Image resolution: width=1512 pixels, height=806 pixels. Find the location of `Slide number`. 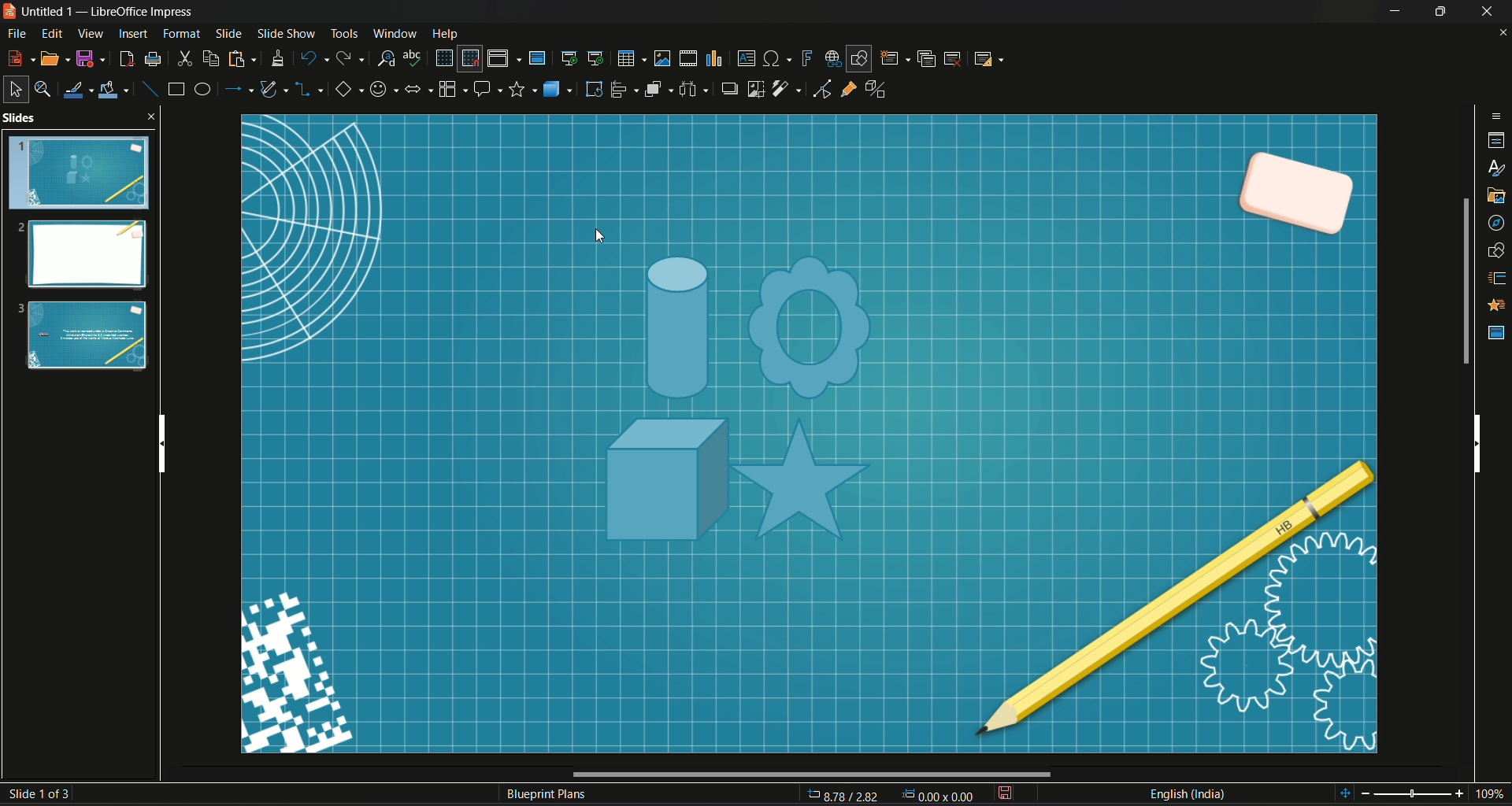

Slide number is located at coordinates (44, 794).